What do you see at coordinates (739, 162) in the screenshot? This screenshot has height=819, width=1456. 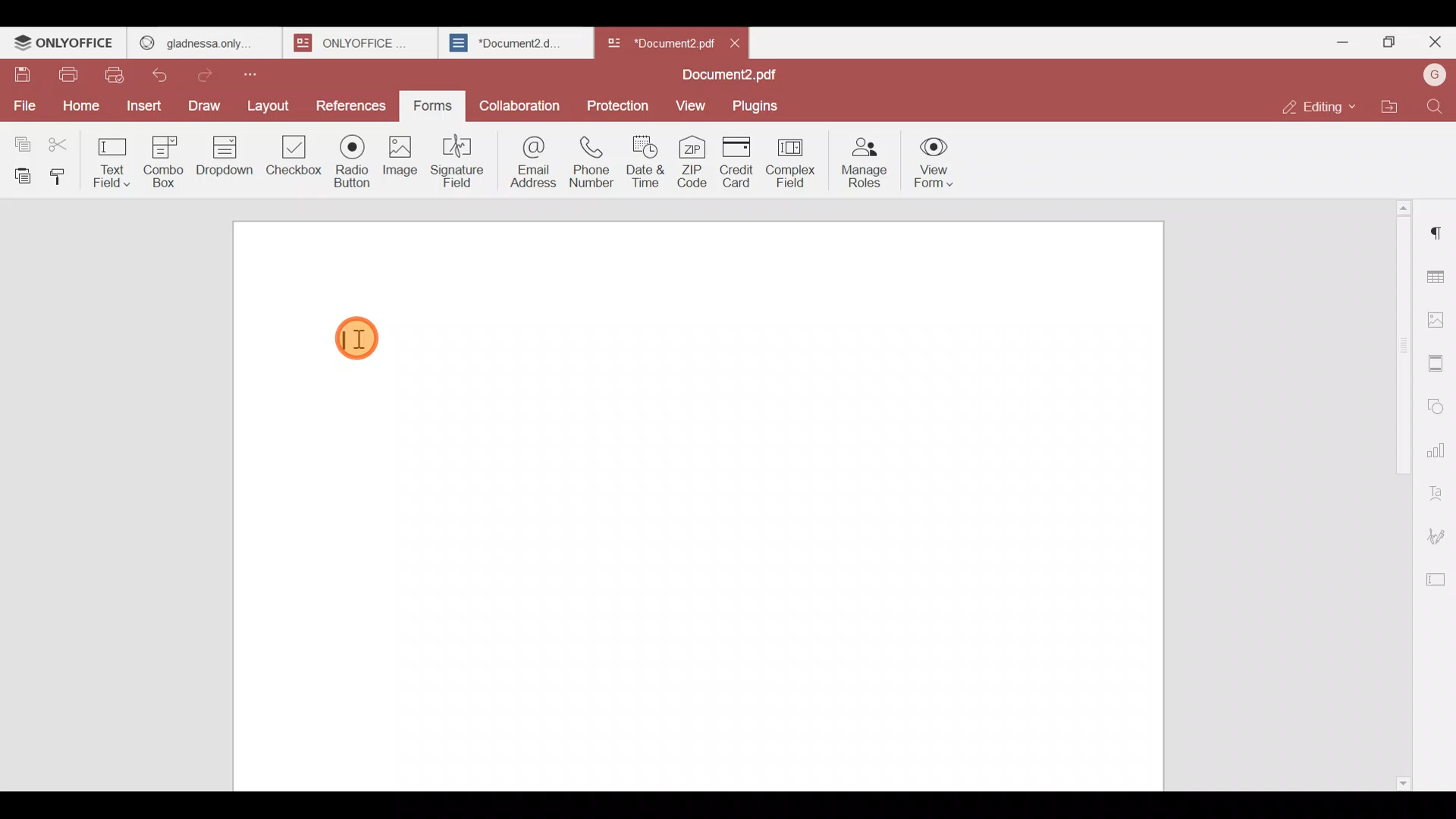 I see `Credit card` at bounding box center [739, 162].